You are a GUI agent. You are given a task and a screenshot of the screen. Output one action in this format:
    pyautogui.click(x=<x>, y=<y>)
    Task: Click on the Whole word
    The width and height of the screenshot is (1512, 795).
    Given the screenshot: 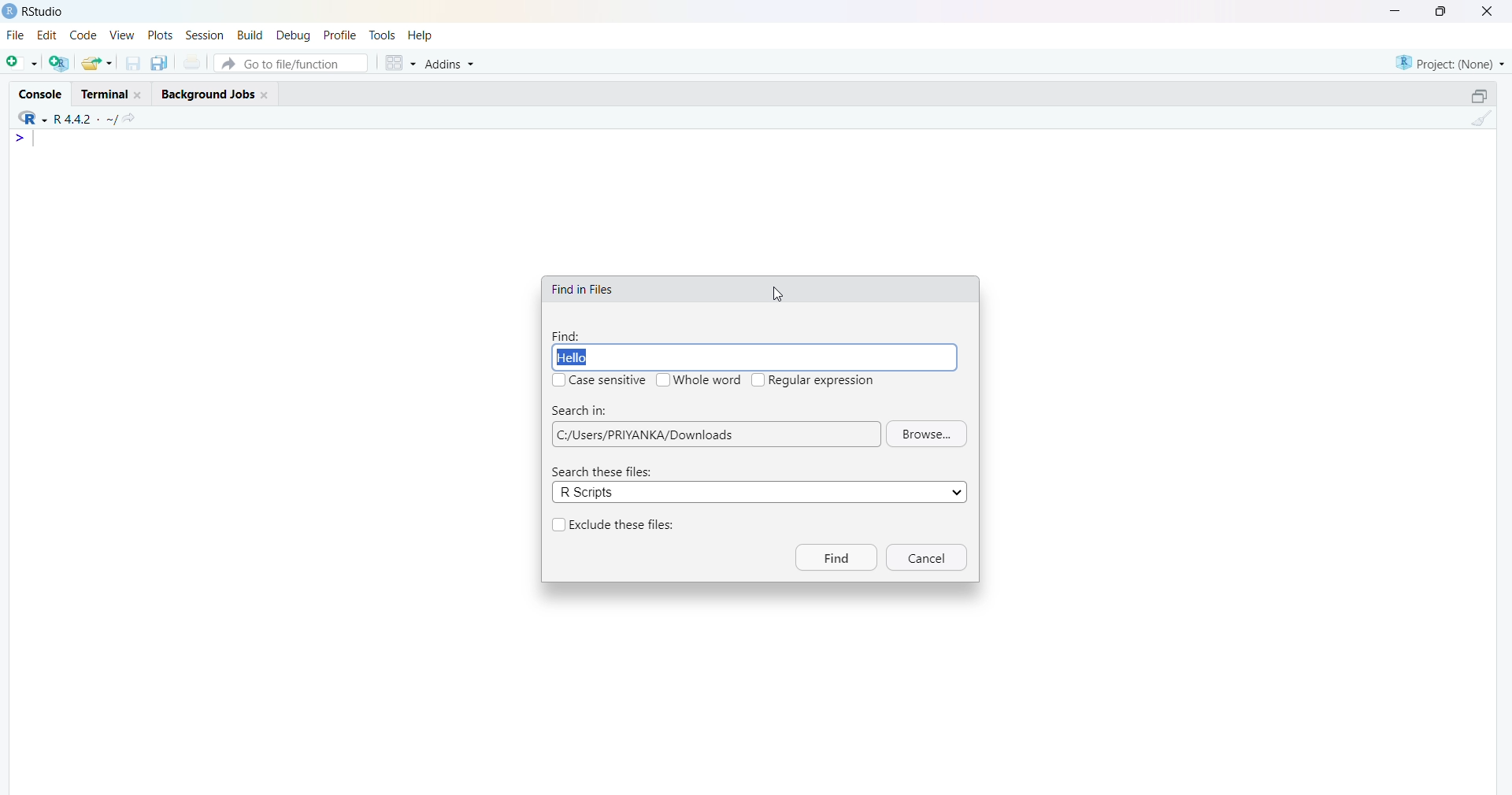 What is the action you would take?
    pyautogui.click(x=709, y=380)
    